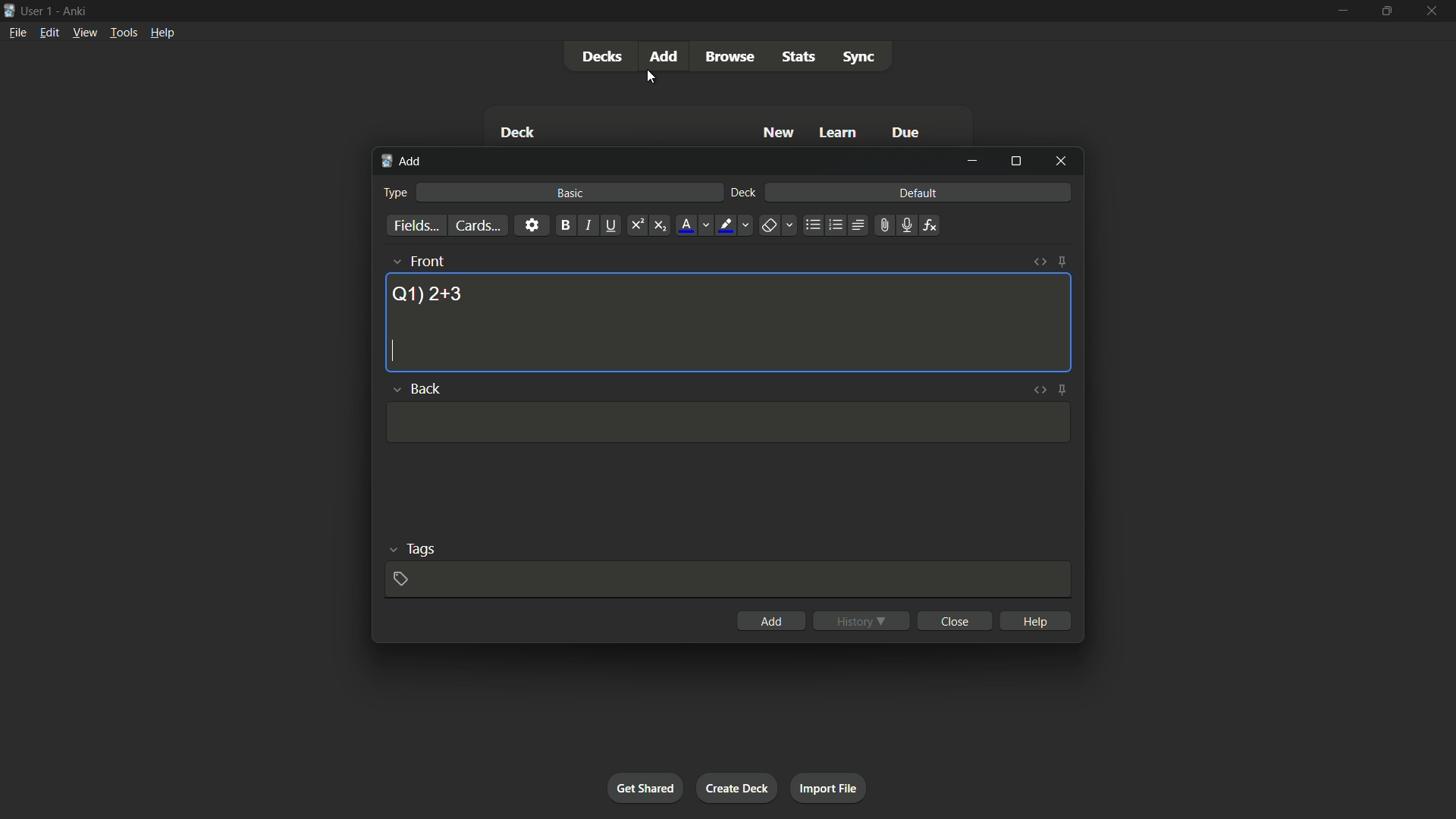 Image resolution: width=1456 pixels, height=819 pixels. What do you see at coordinates (651, 78) in the screenshot?
I see `cursor` at bounding box center [651, 78].